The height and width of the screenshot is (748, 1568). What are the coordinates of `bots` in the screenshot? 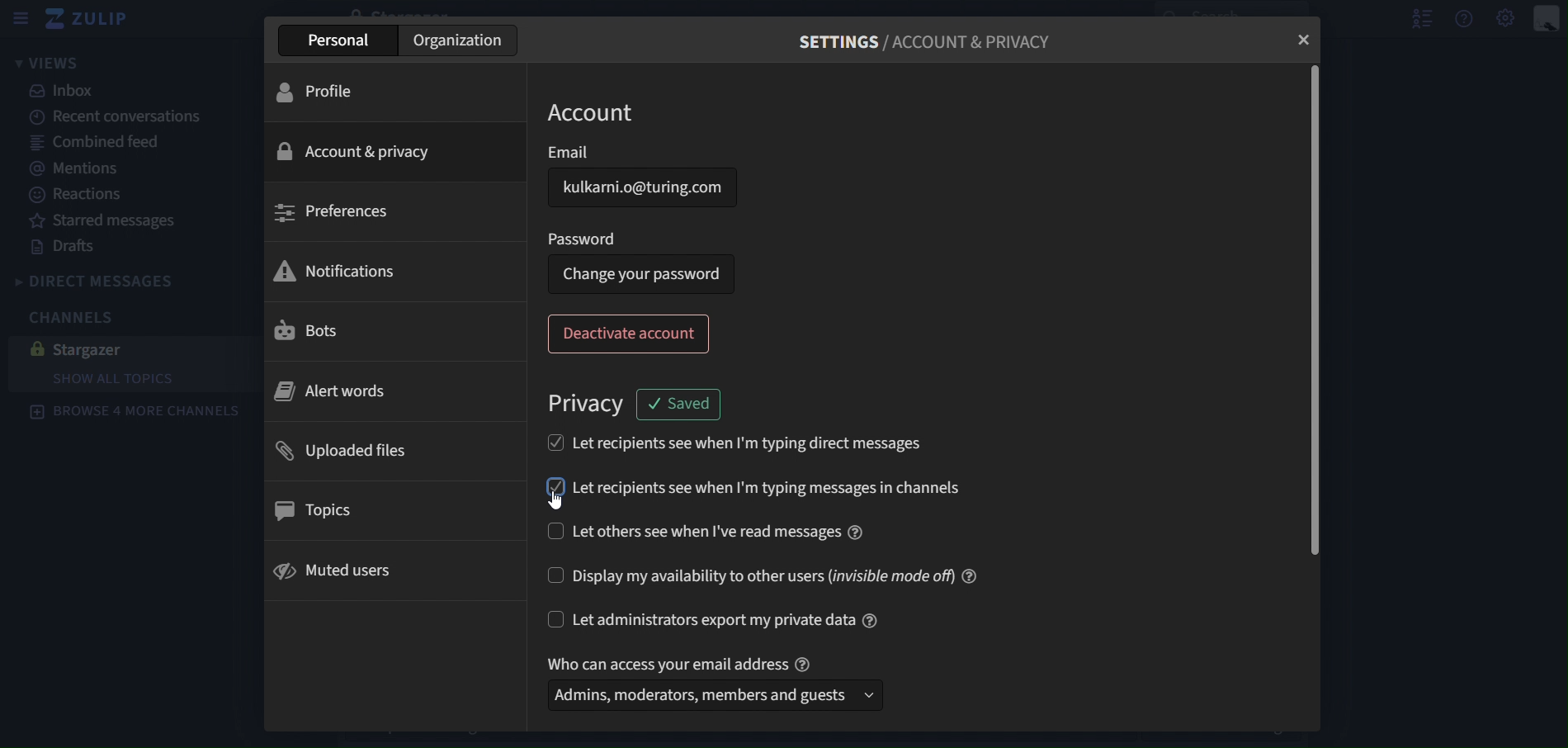 It's located at (305, 329).